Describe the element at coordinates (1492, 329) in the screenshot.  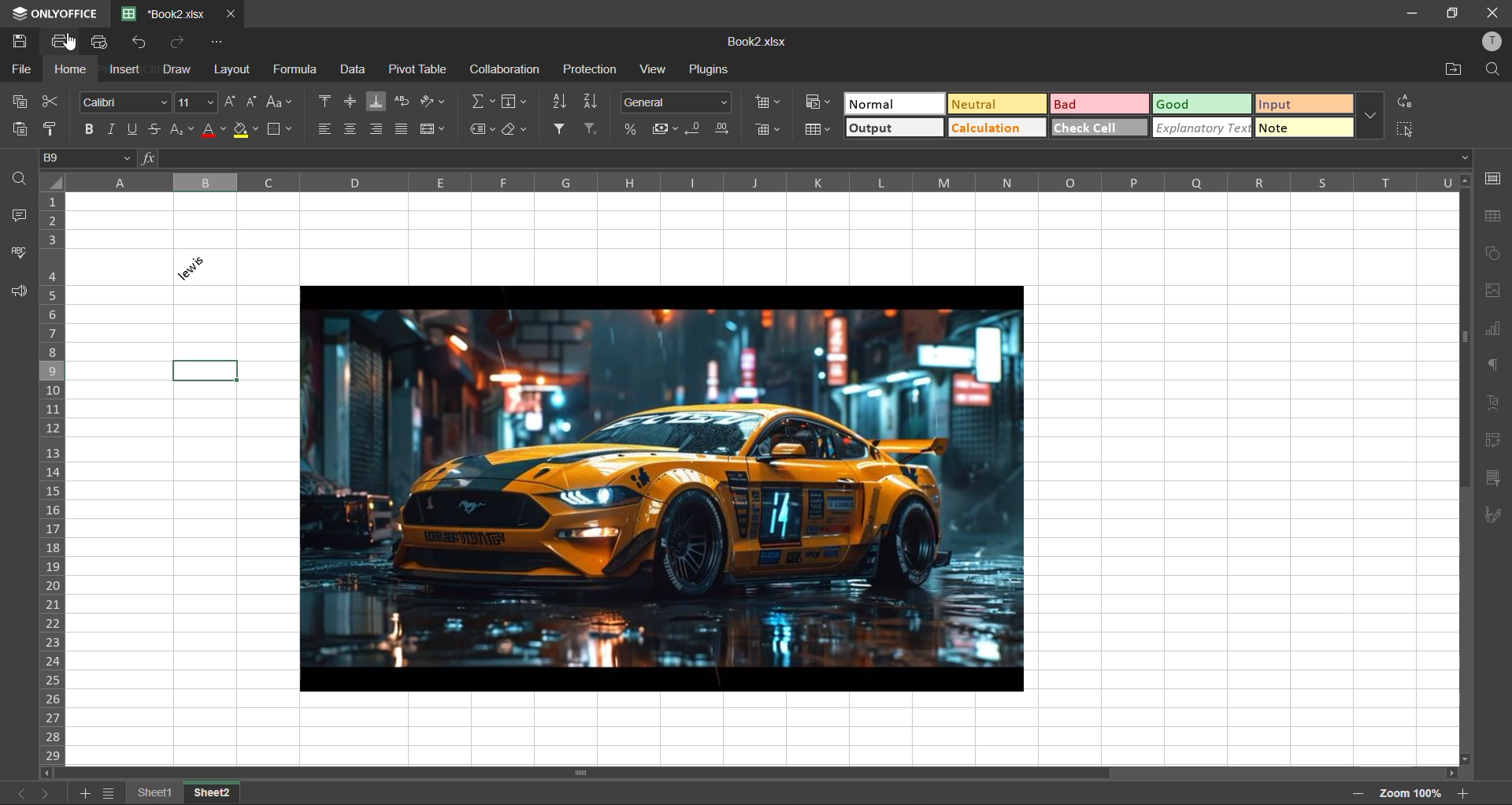
I see `charts` at that location.